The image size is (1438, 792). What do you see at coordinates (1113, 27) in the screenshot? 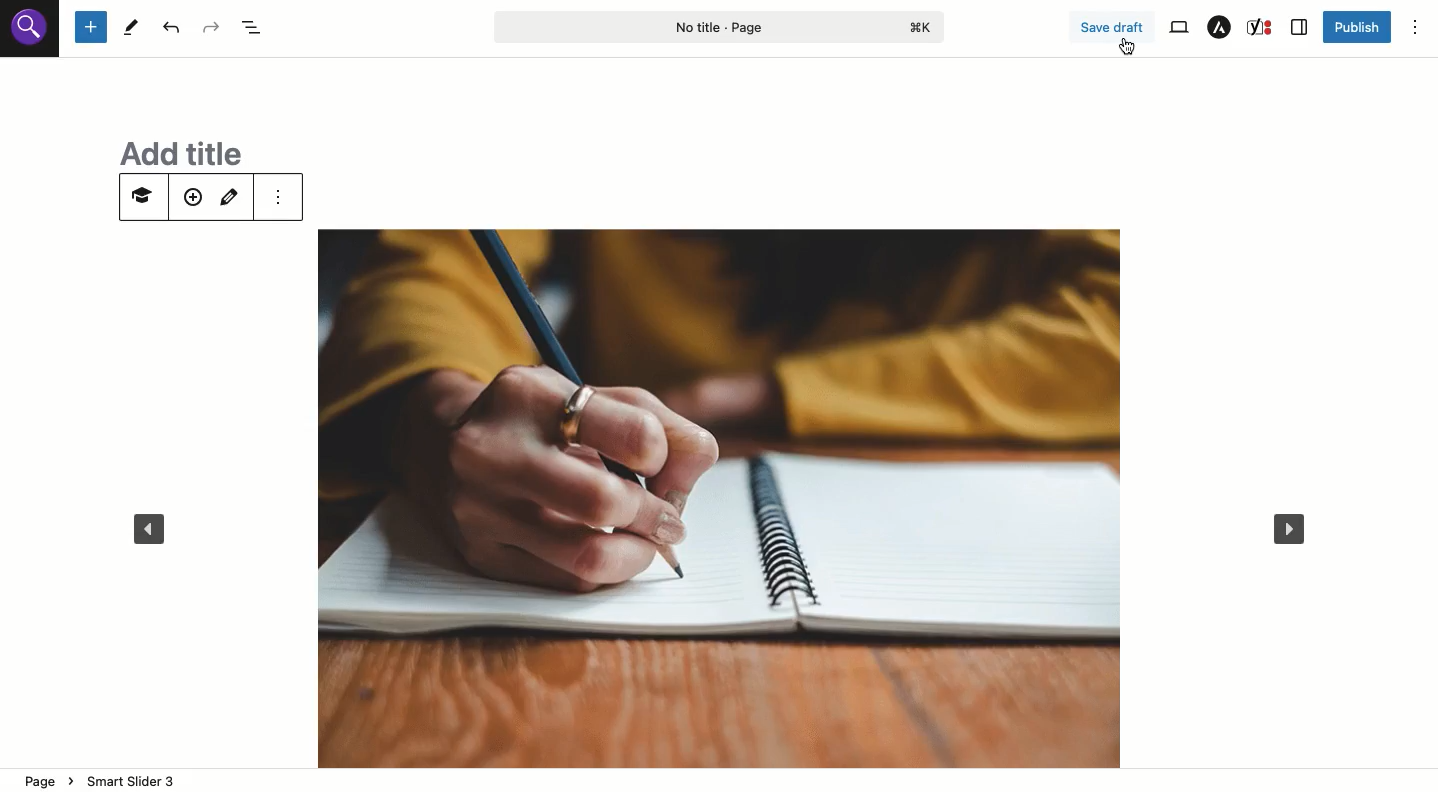
I see `Save draft` at bounding box center [1113, 27].